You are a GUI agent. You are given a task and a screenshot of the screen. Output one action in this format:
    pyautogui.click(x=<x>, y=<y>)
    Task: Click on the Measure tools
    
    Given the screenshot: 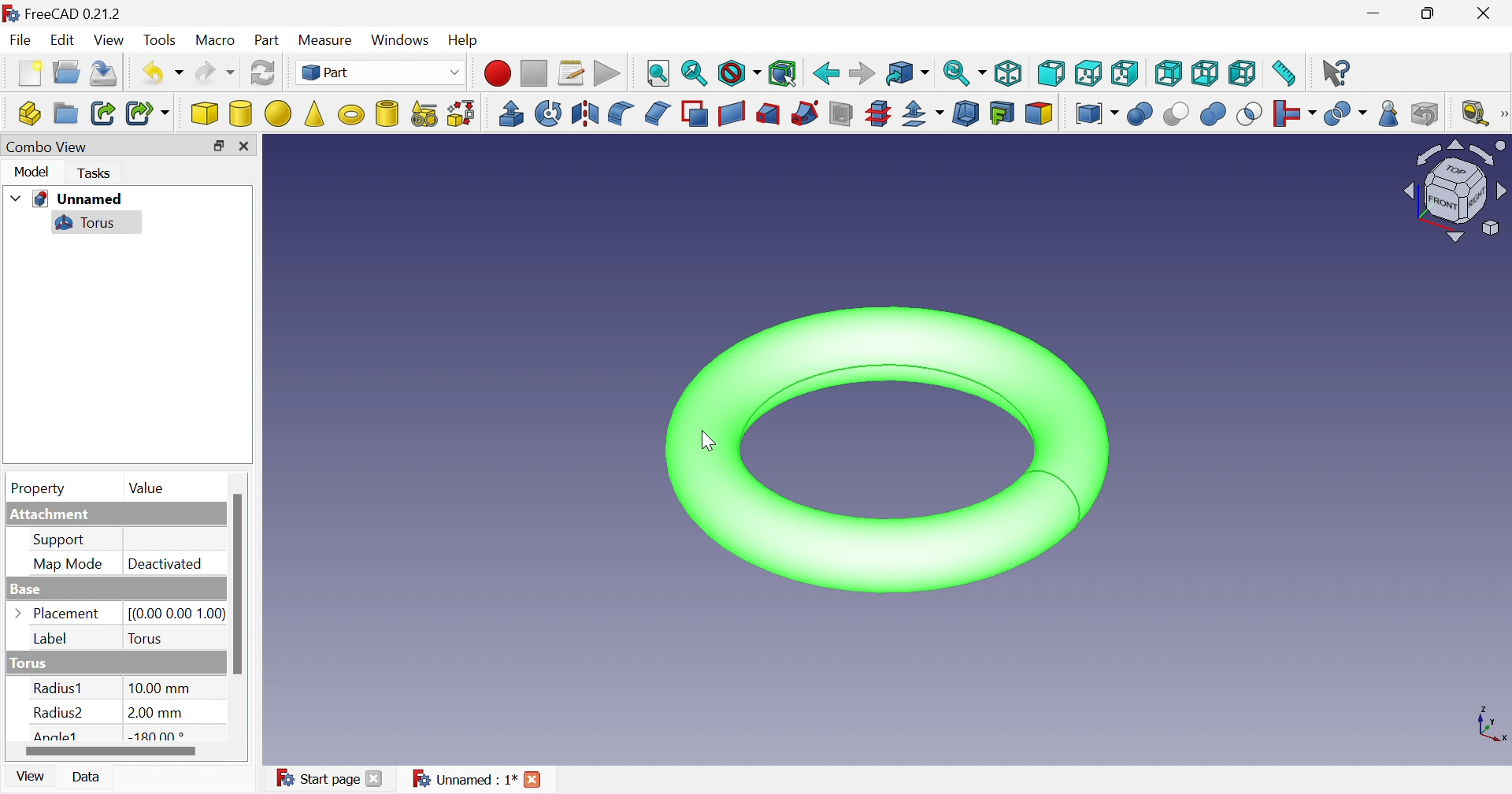 What is the action you would take?
    pyautogui.click(x=1473, y=113)
    